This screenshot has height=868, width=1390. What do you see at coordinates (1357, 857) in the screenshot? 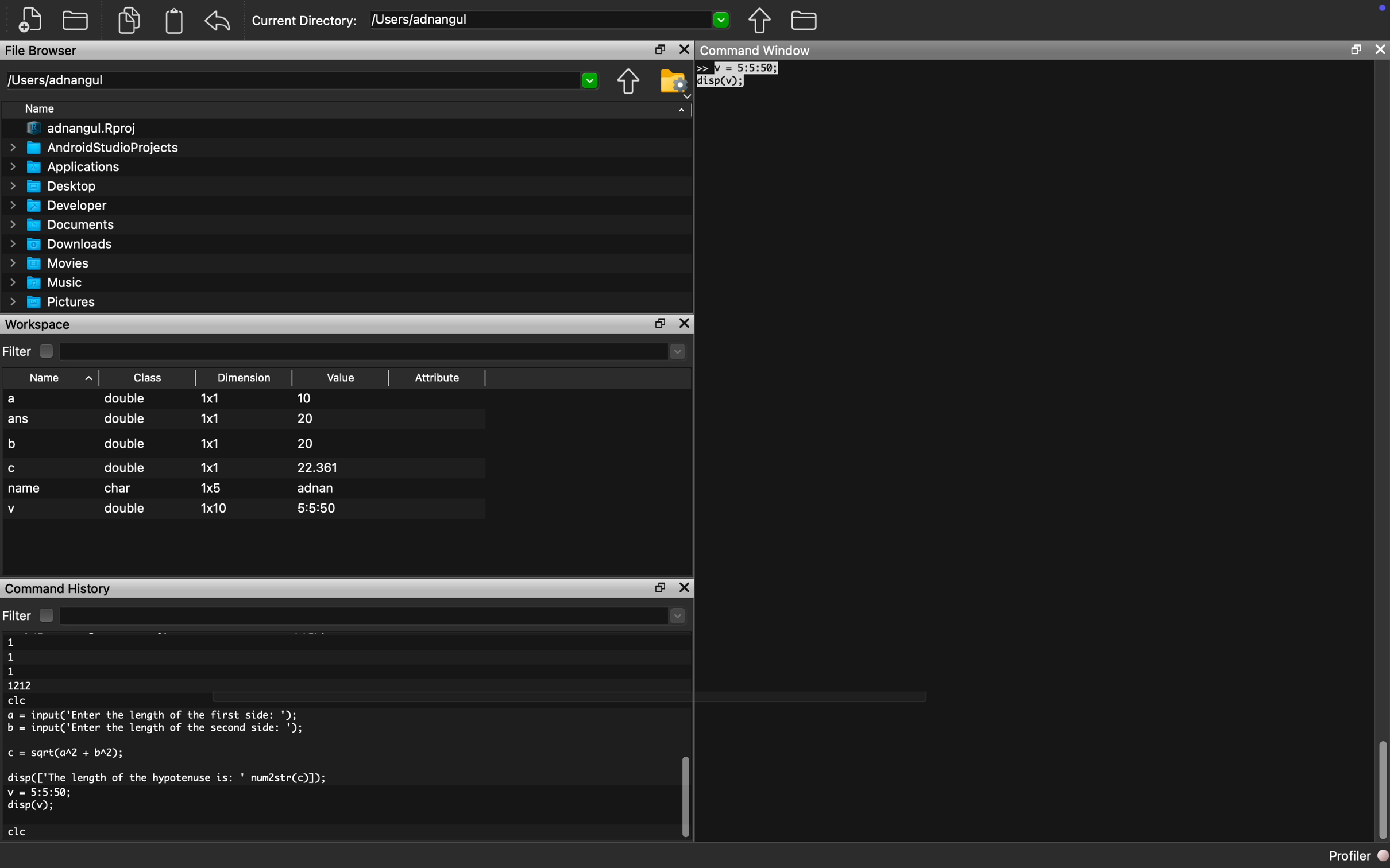
I see `Profiler` at bounding box center [1357, 857].